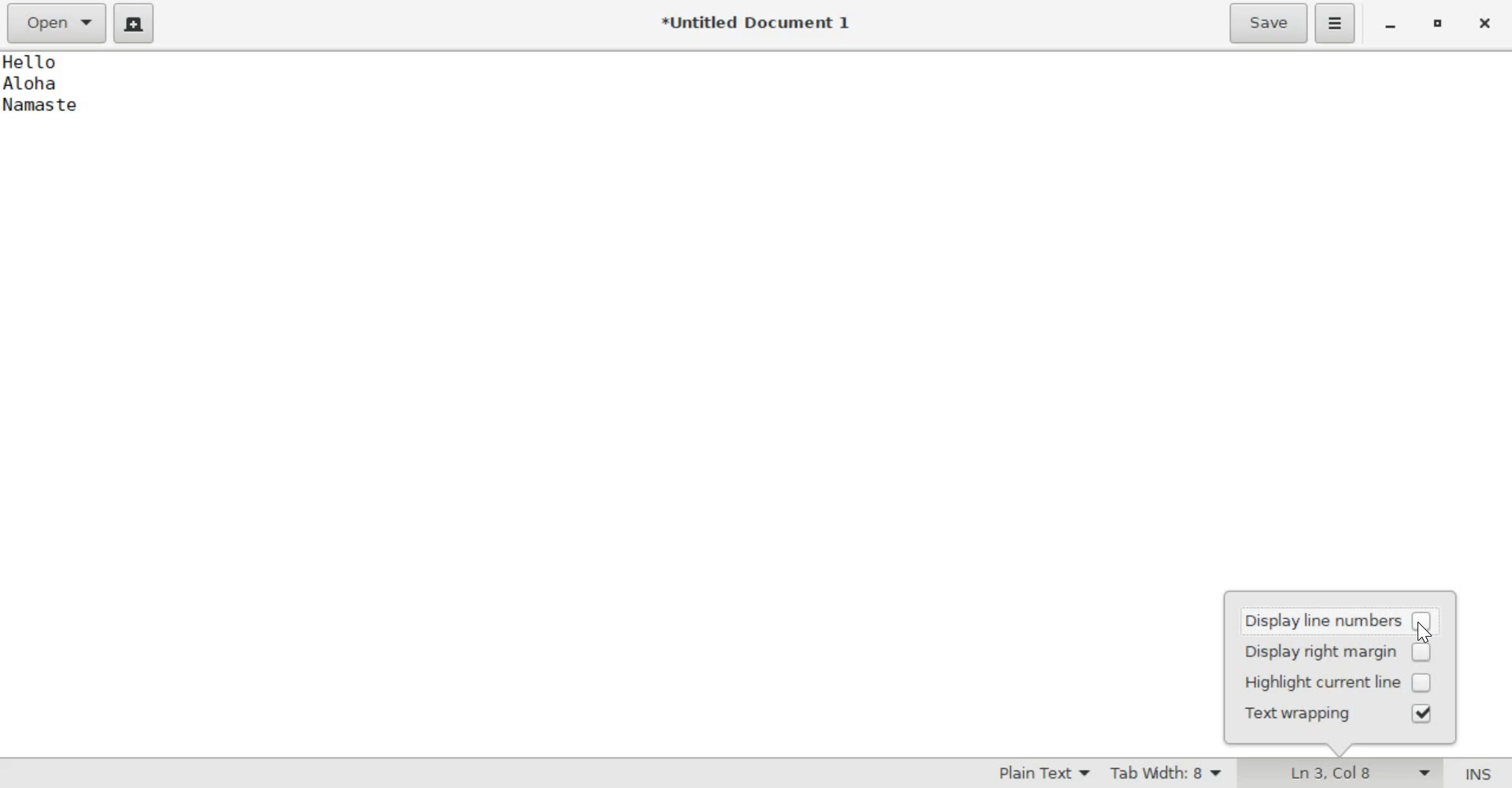 The image size is (1512, 788). Describe the element at coordinates (1173, 773) in the screenshot. I see `Tab Width: 8` at that location.